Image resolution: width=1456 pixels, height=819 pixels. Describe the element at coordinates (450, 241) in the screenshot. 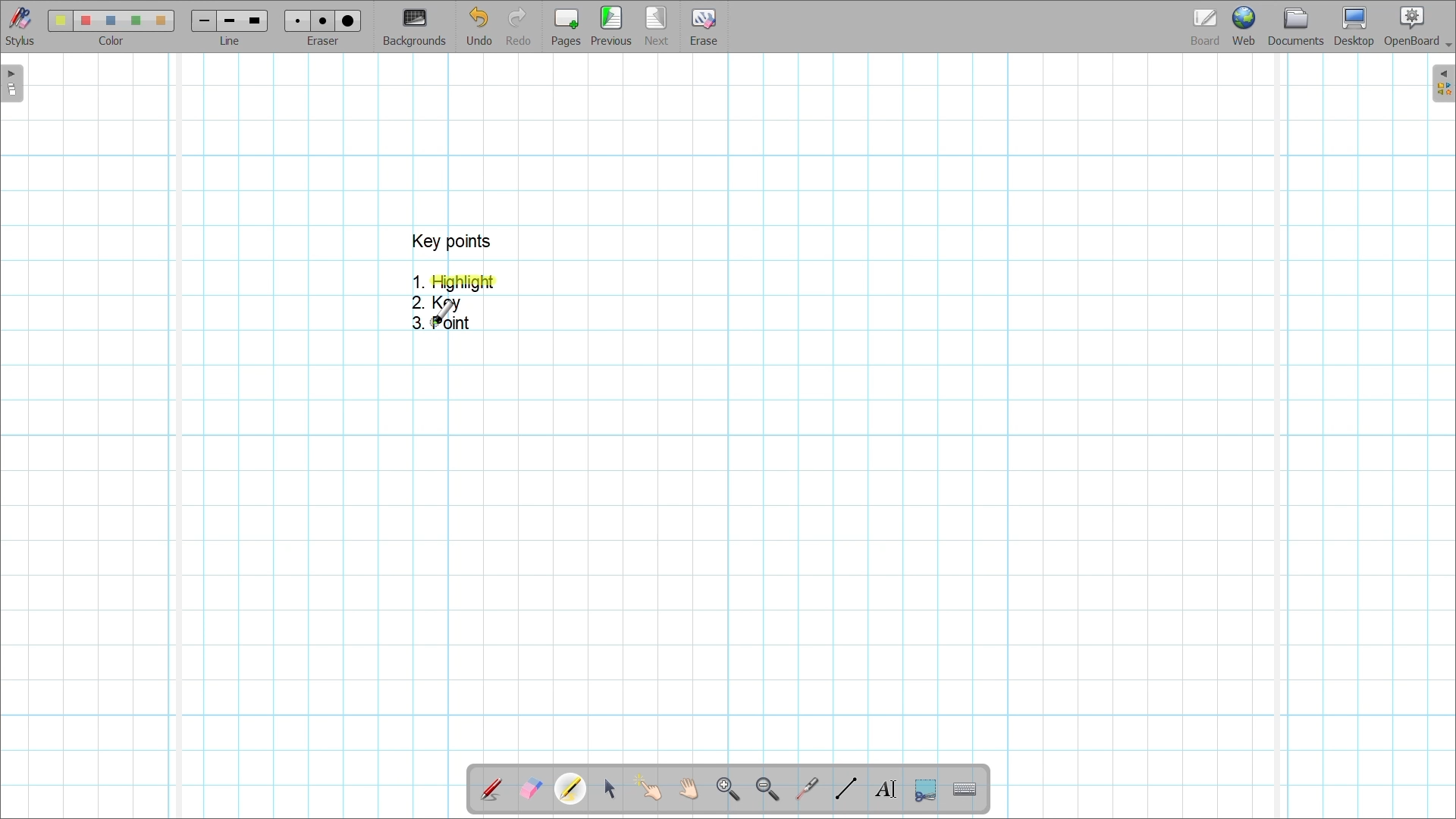

I see `key points` at that location.